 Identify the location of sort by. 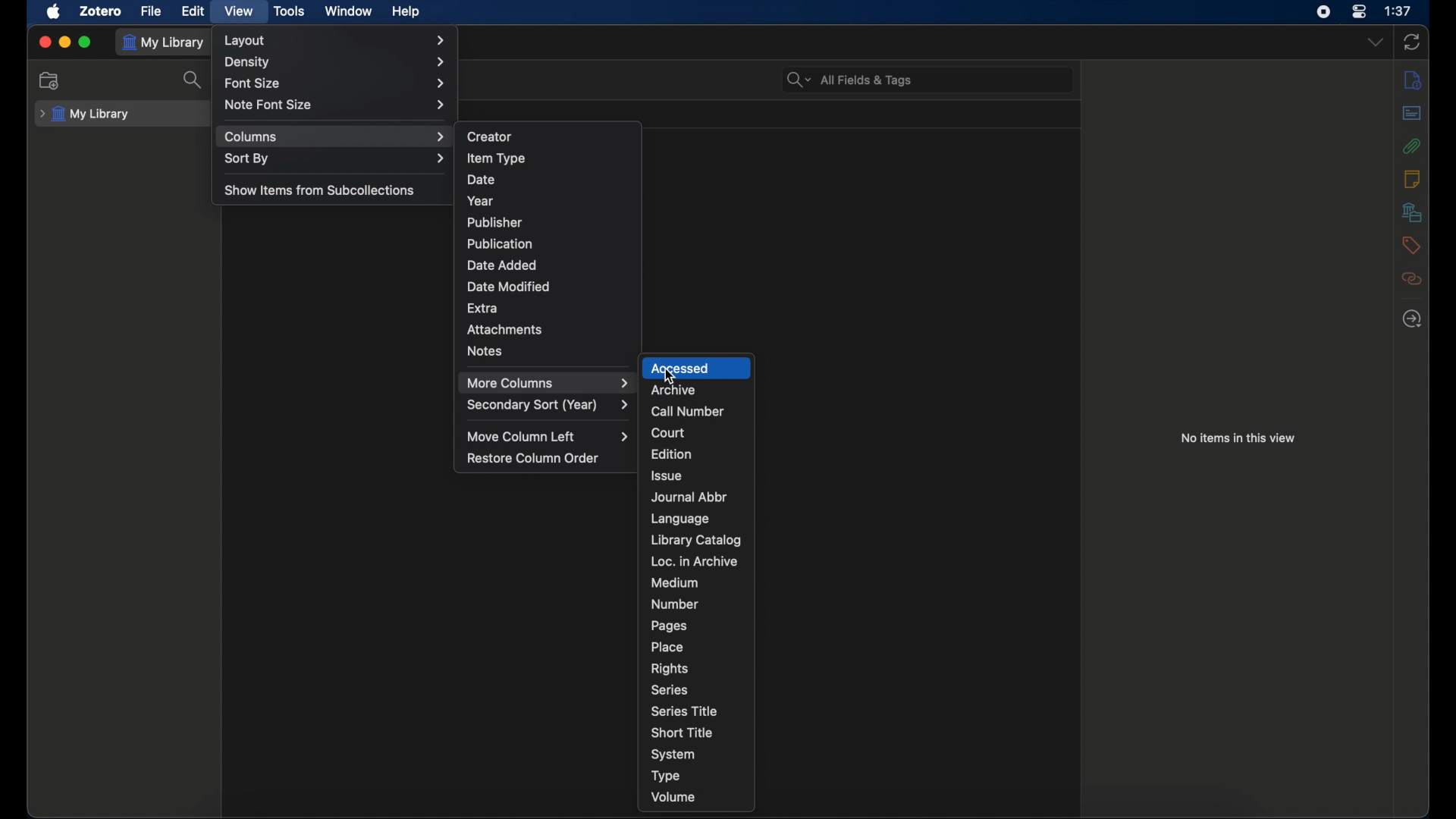
(335, 158).